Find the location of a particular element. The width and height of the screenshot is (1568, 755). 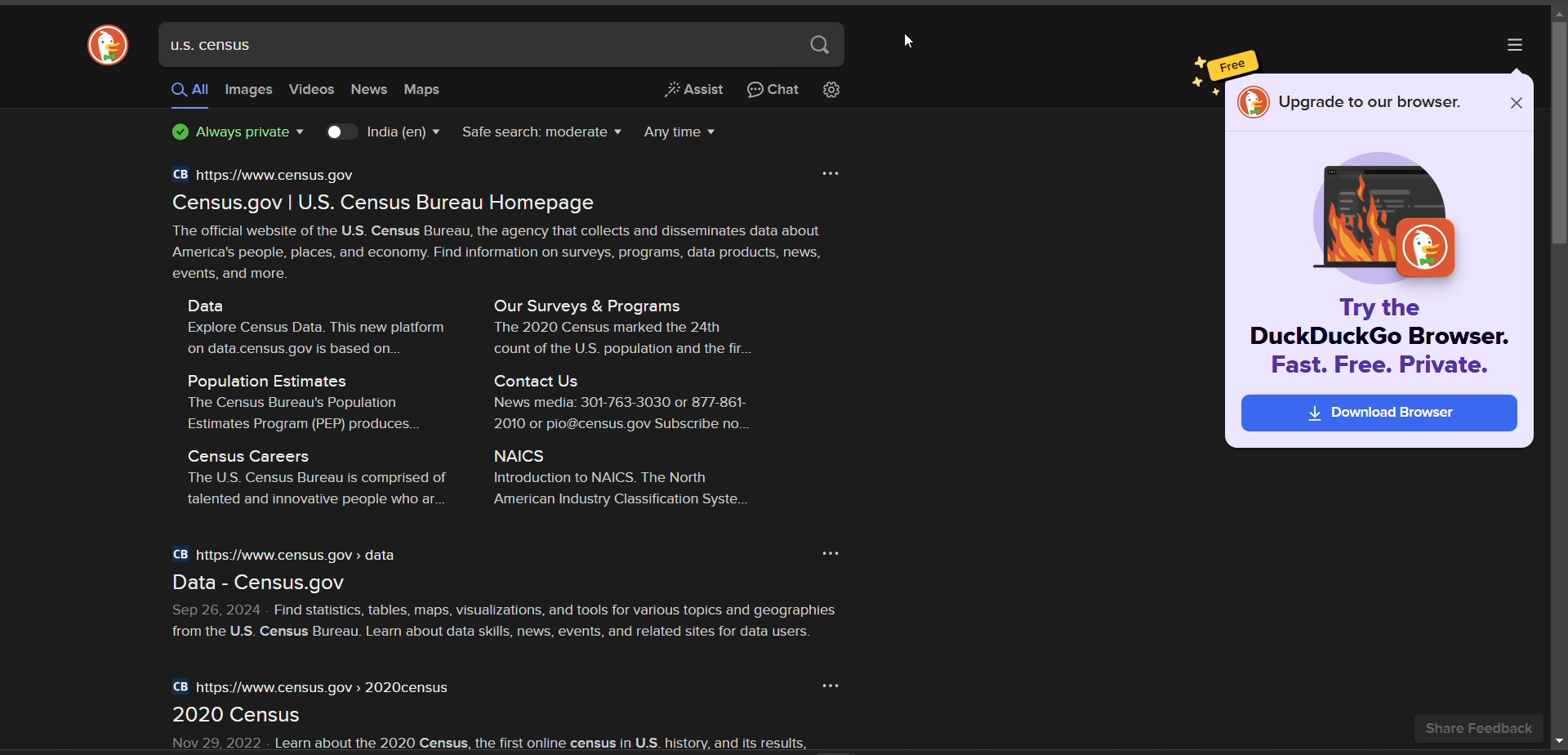

2020 Census is located at coordinates (243, 716).